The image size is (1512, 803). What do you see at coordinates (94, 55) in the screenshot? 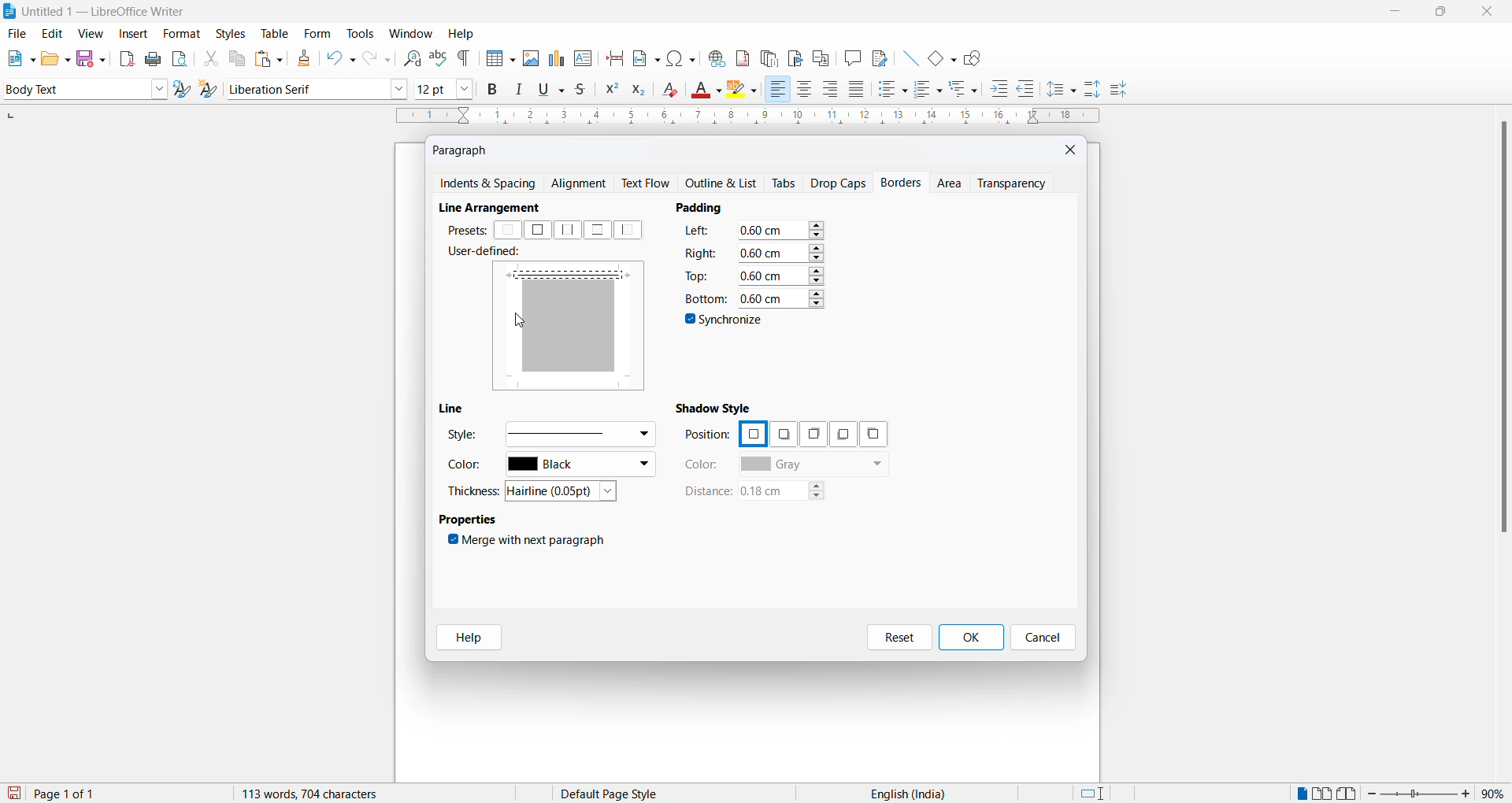
I see `save as` at bounding box center [94, 55].